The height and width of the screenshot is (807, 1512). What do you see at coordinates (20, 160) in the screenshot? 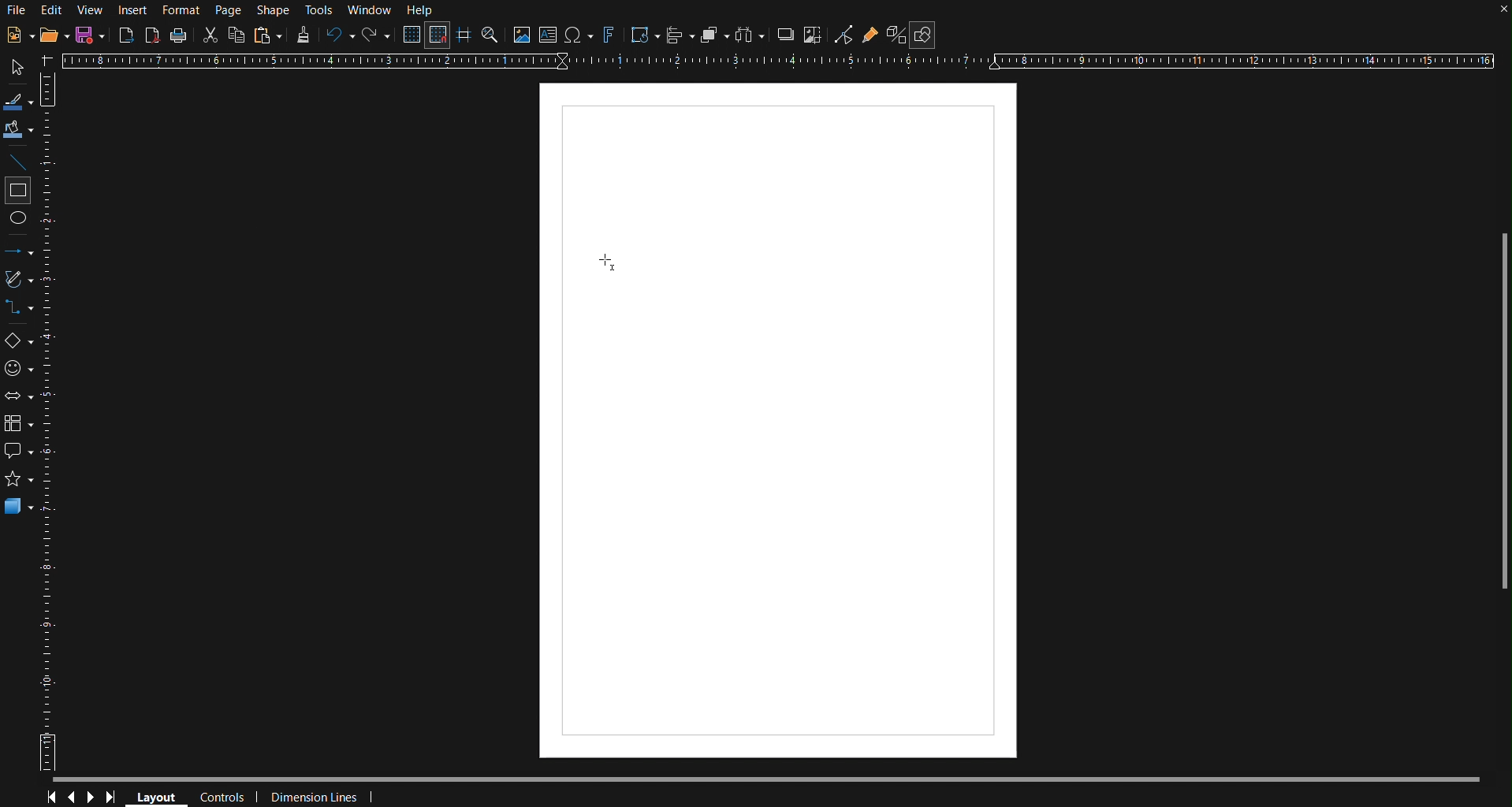
I see `Line` at bounding box center [20, 160].